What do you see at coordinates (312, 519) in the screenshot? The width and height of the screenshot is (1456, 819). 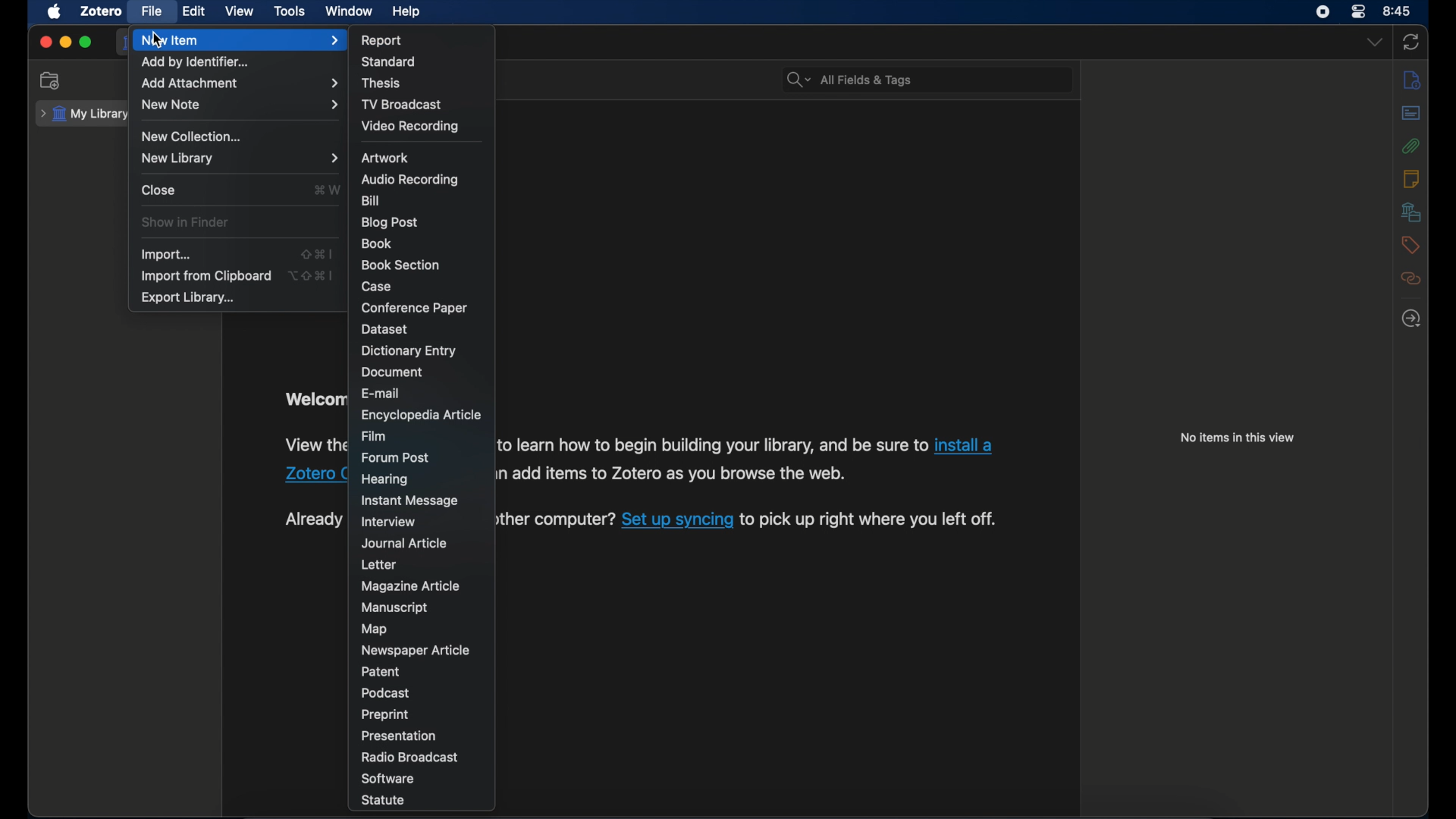 I see `text` at bounding box center [312, 519].